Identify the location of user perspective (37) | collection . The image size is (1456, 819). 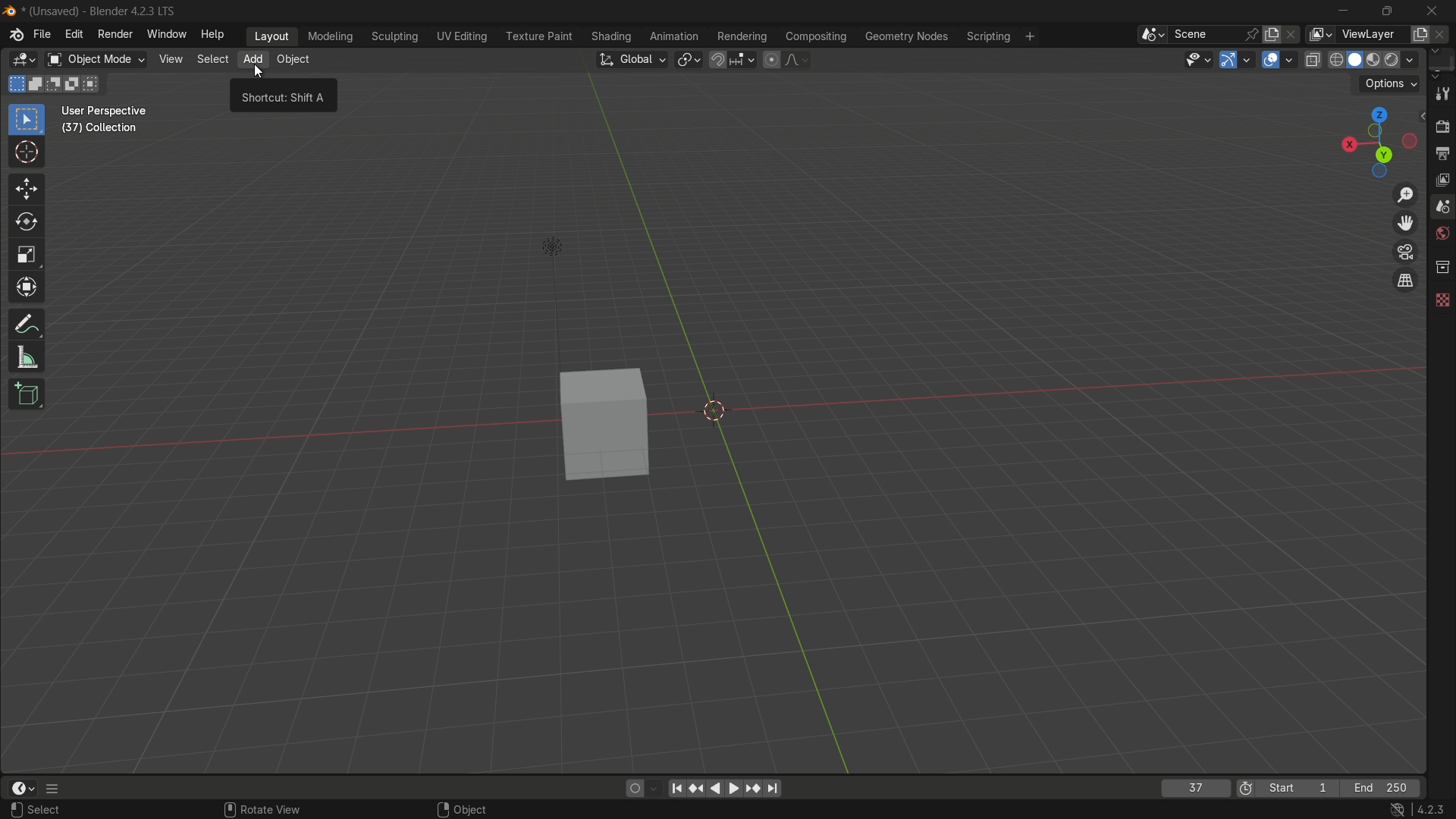
(112, 119).